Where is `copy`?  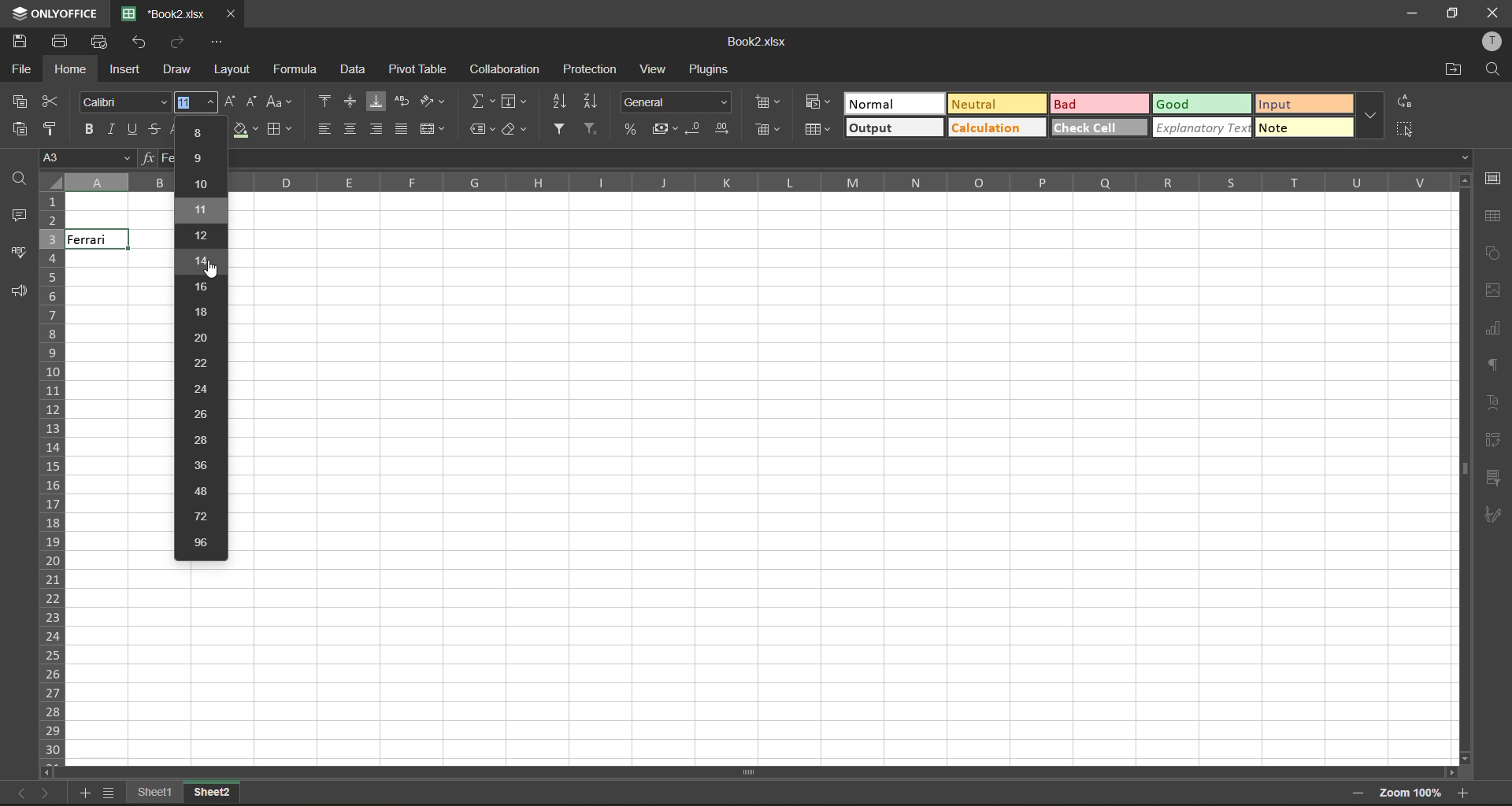 copy is located at coordinates (20, 100).